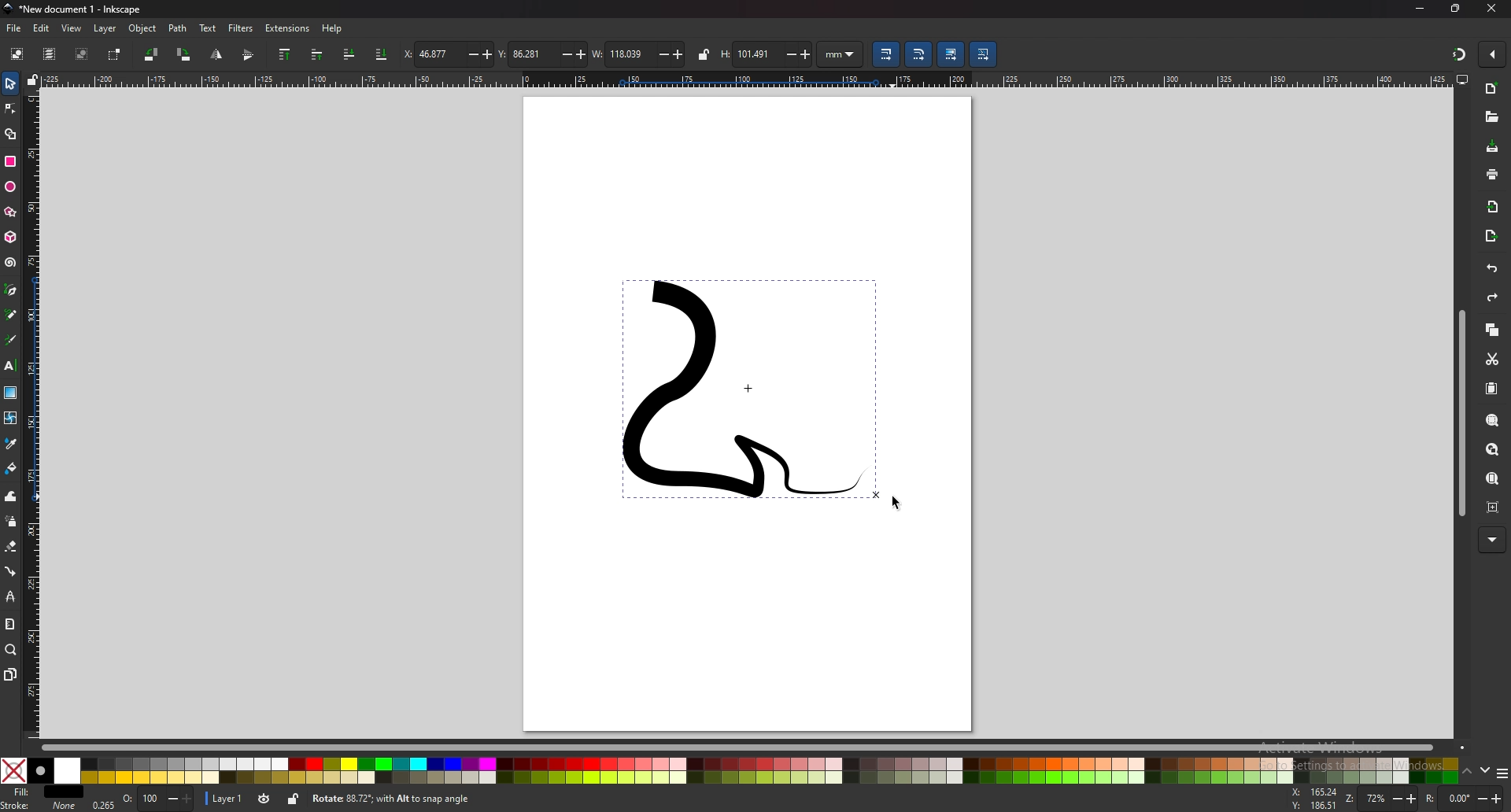 This screenshot has width=1511, height=812. What do you see at coordinates (755, 745) in the screenshot?
I see `scroll bar` at bounding box center [755, 745].